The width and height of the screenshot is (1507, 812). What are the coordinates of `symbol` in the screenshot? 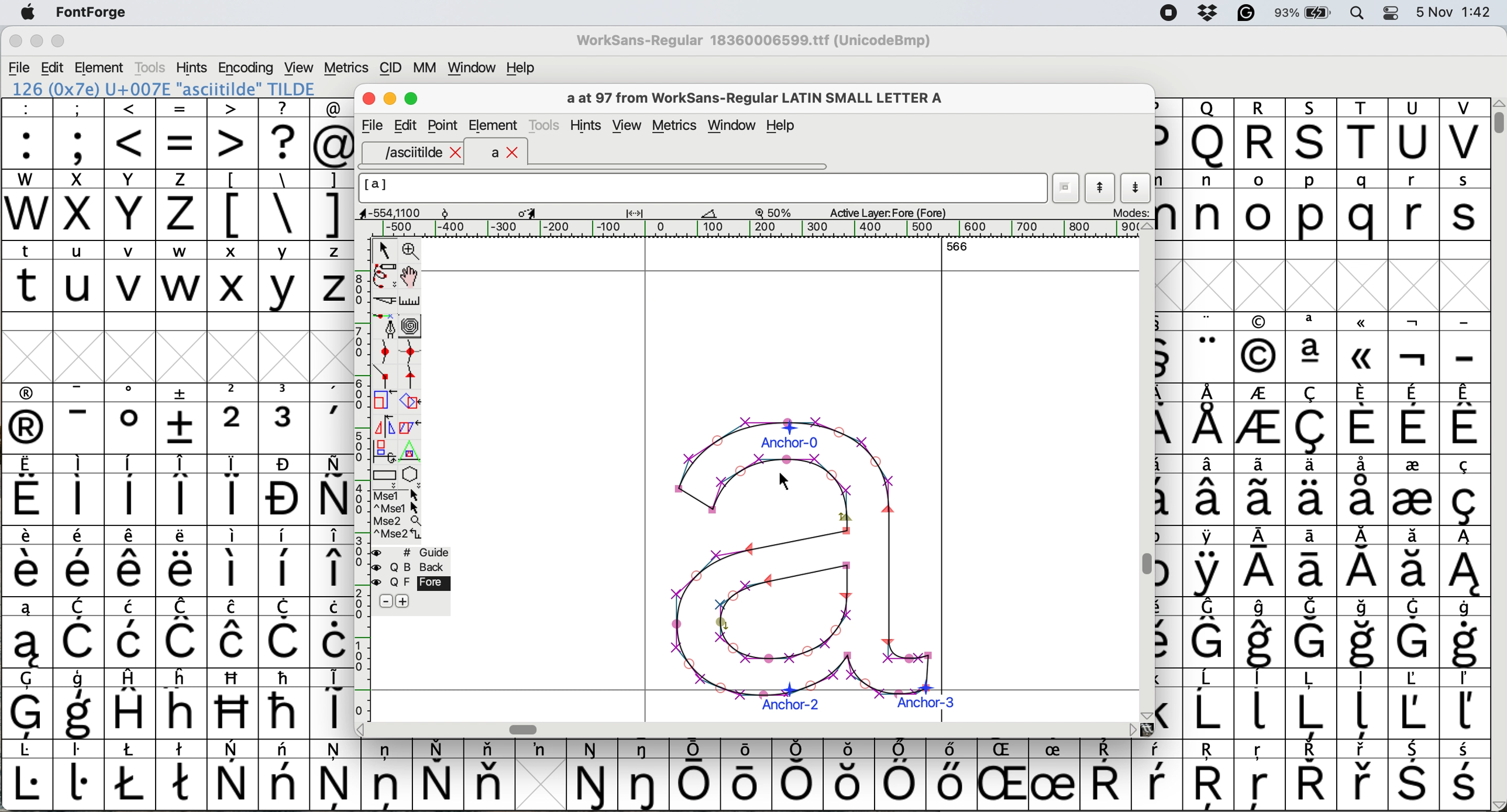 It's located at (28, 704).